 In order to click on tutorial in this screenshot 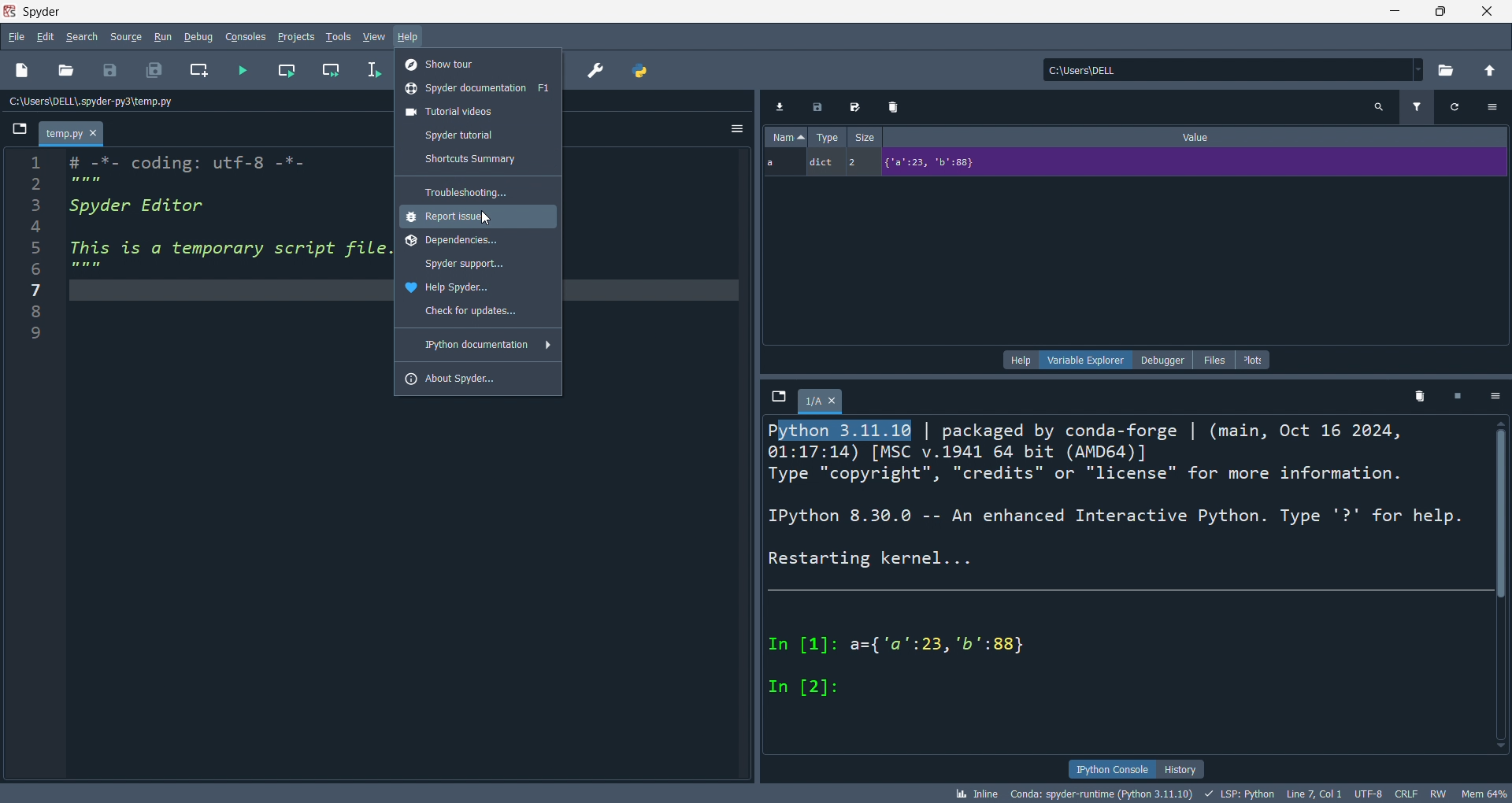, I will do `click(478, 135)`.